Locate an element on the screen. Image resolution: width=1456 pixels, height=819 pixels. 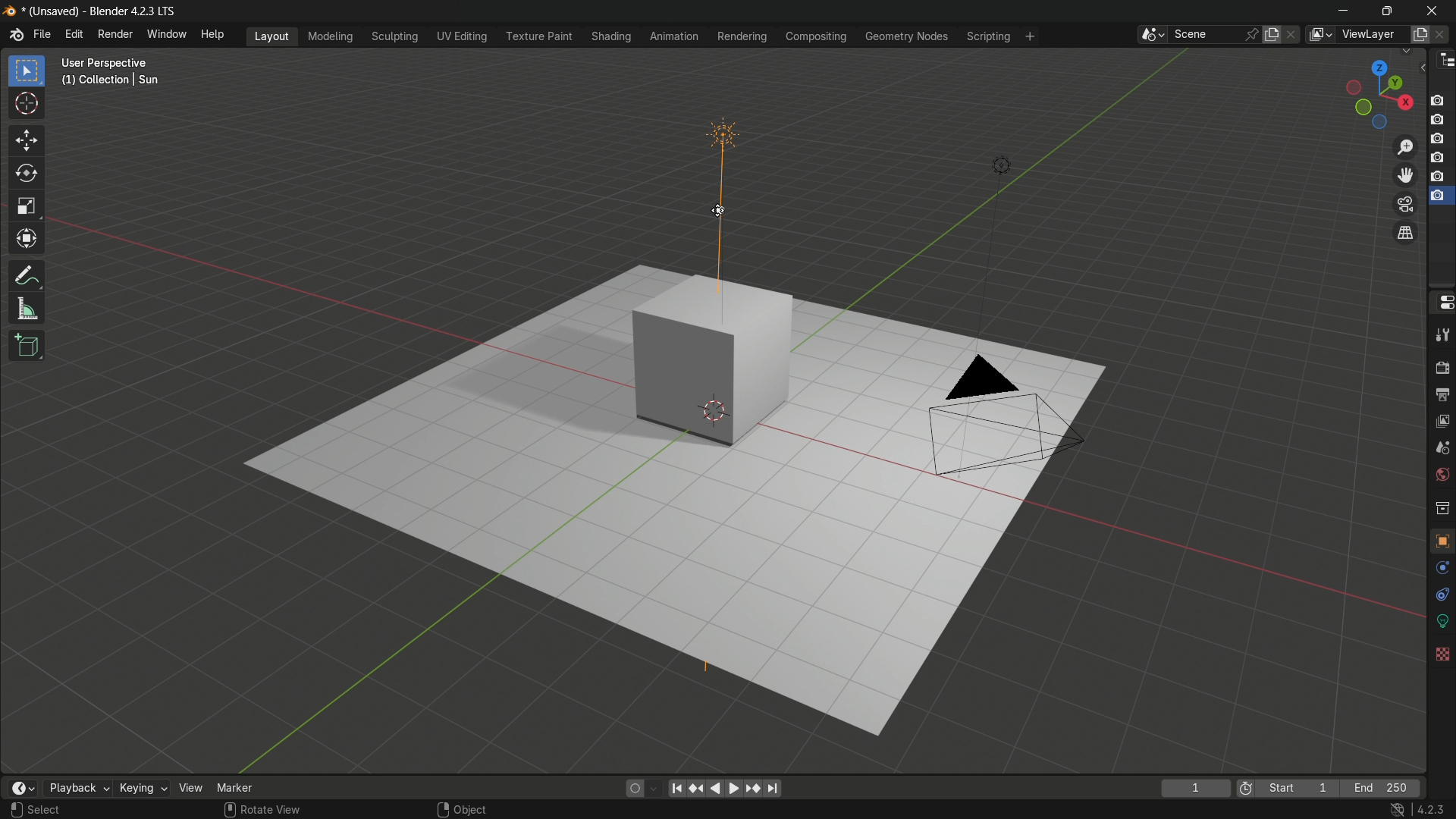
view layer is located at coordinates (1321, 35).